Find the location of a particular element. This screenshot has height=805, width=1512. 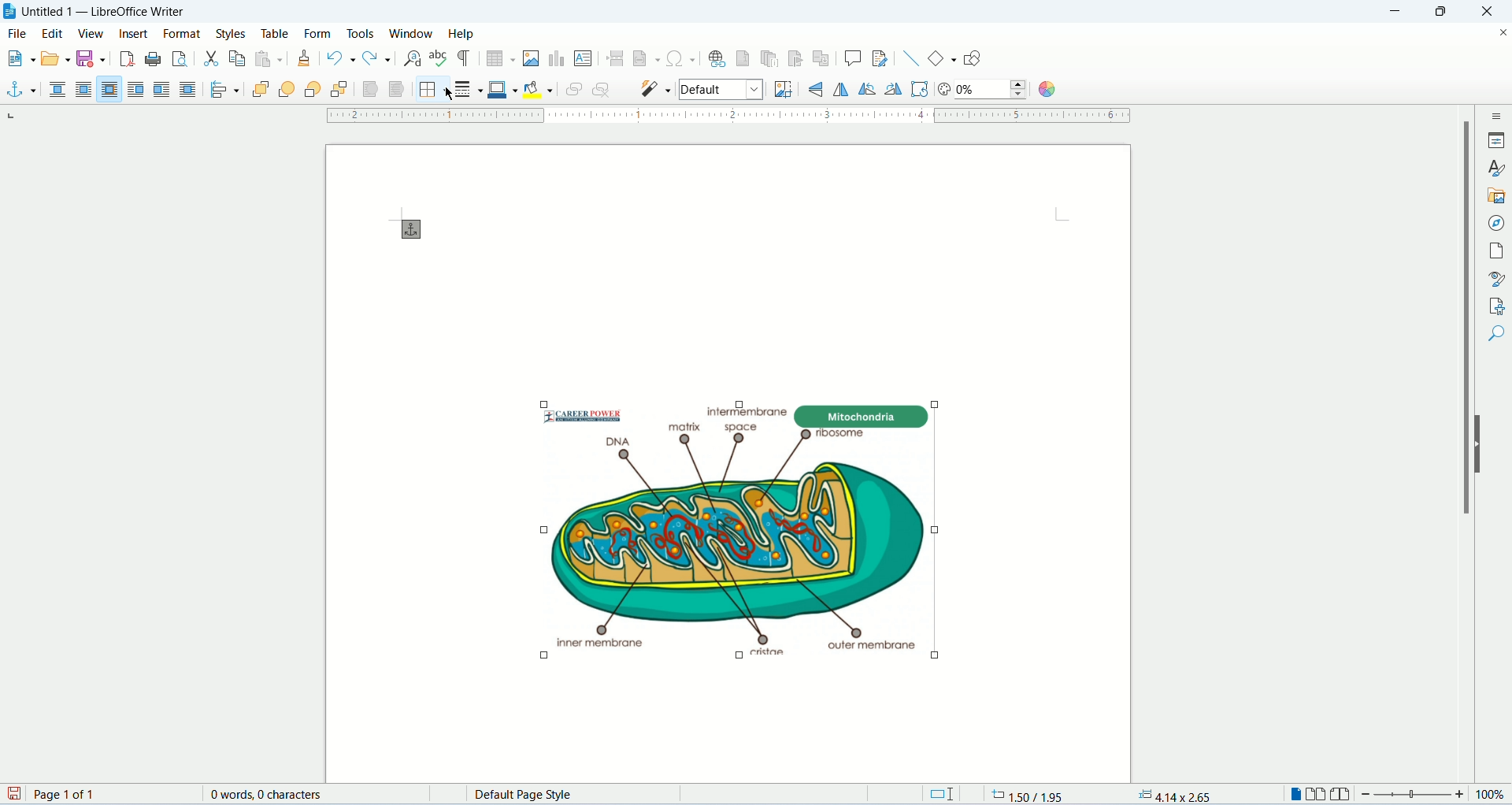

insert chart is located at coordinates (556, 59).